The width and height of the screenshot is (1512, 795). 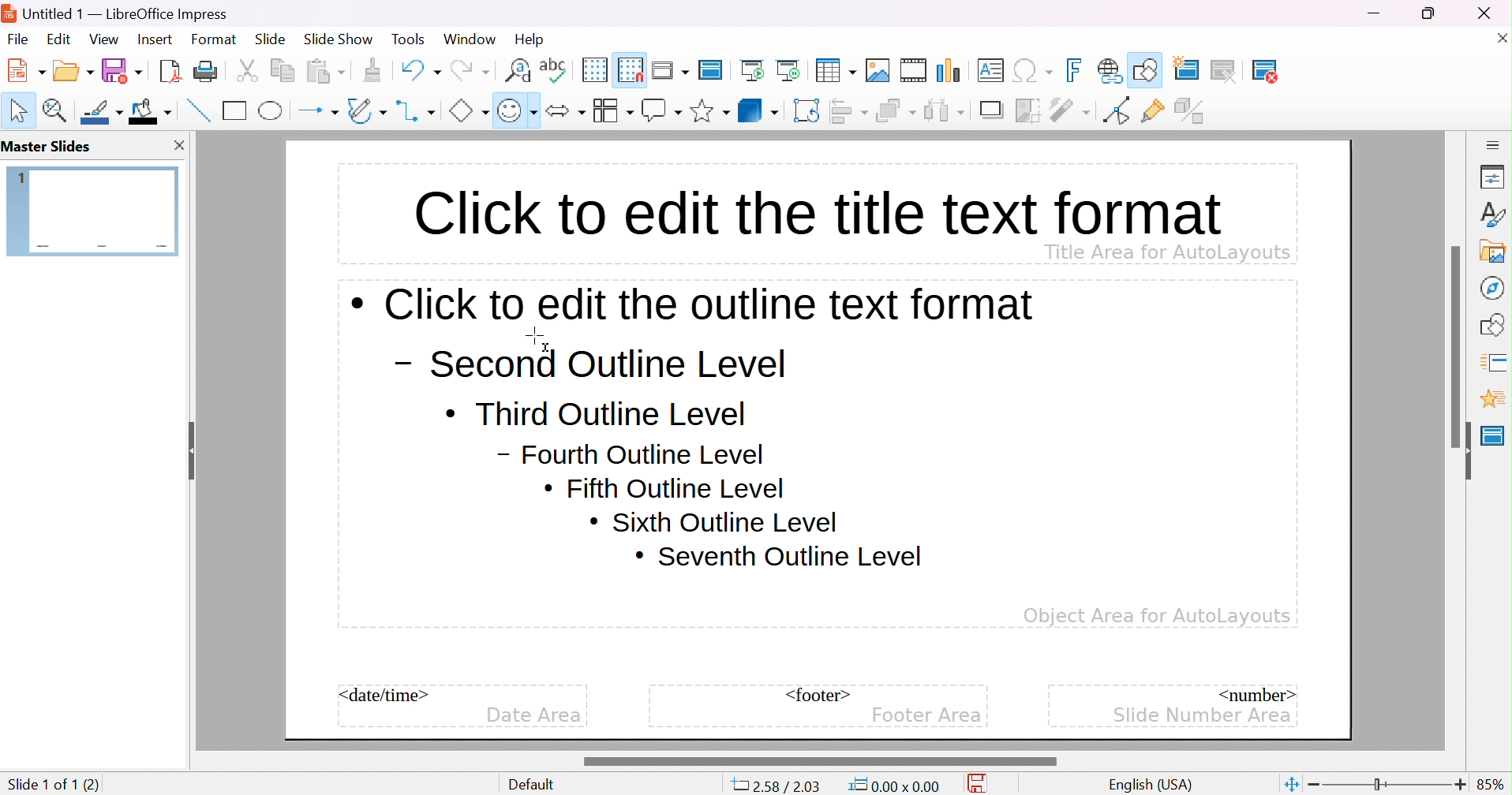 What do you see at coordinates (994, 111) in the screenshot?
I see `shadow` at bounding box center [994, 111].